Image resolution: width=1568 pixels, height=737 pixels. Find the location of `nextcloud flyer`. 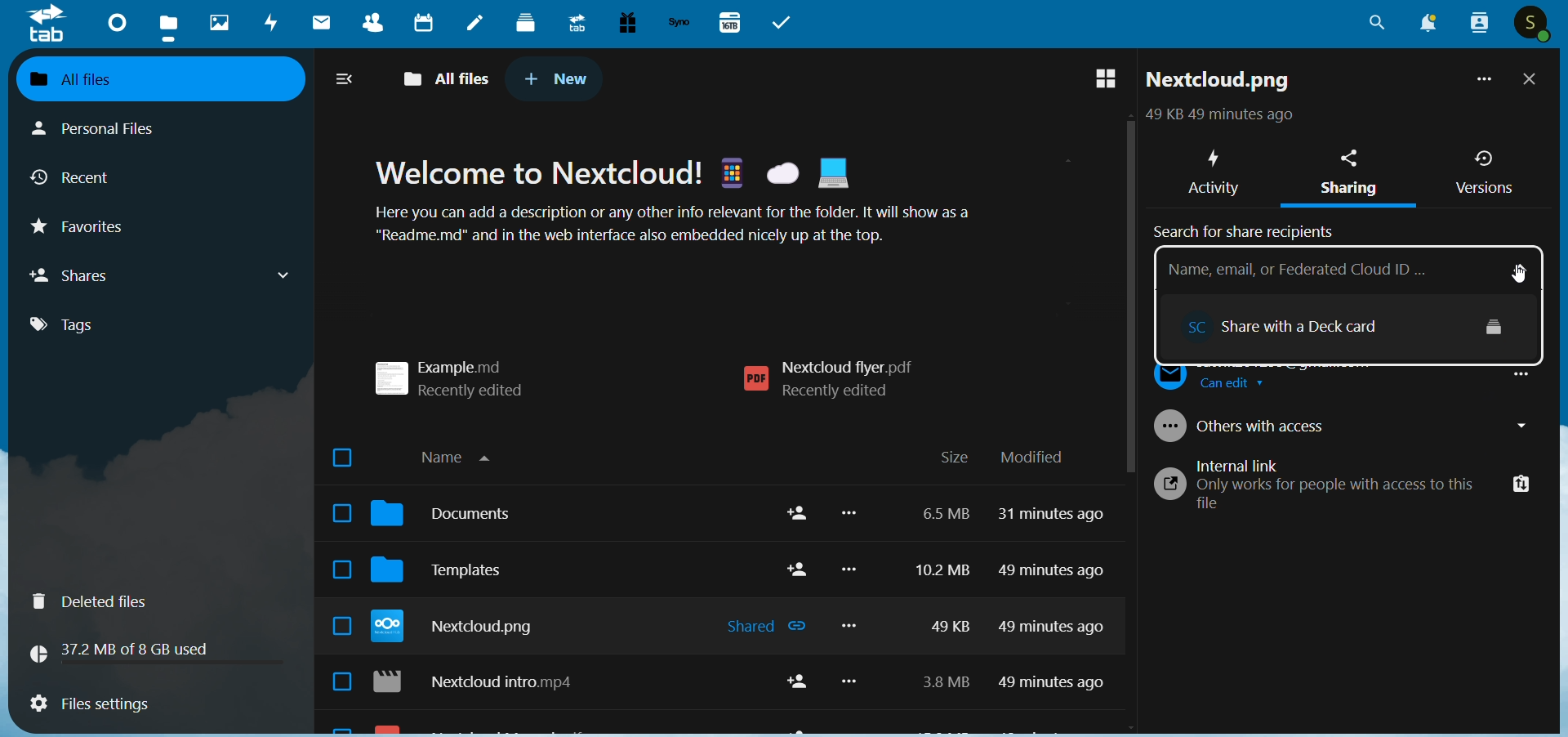

nextcloud flyer is located at coordinates (837, 380).